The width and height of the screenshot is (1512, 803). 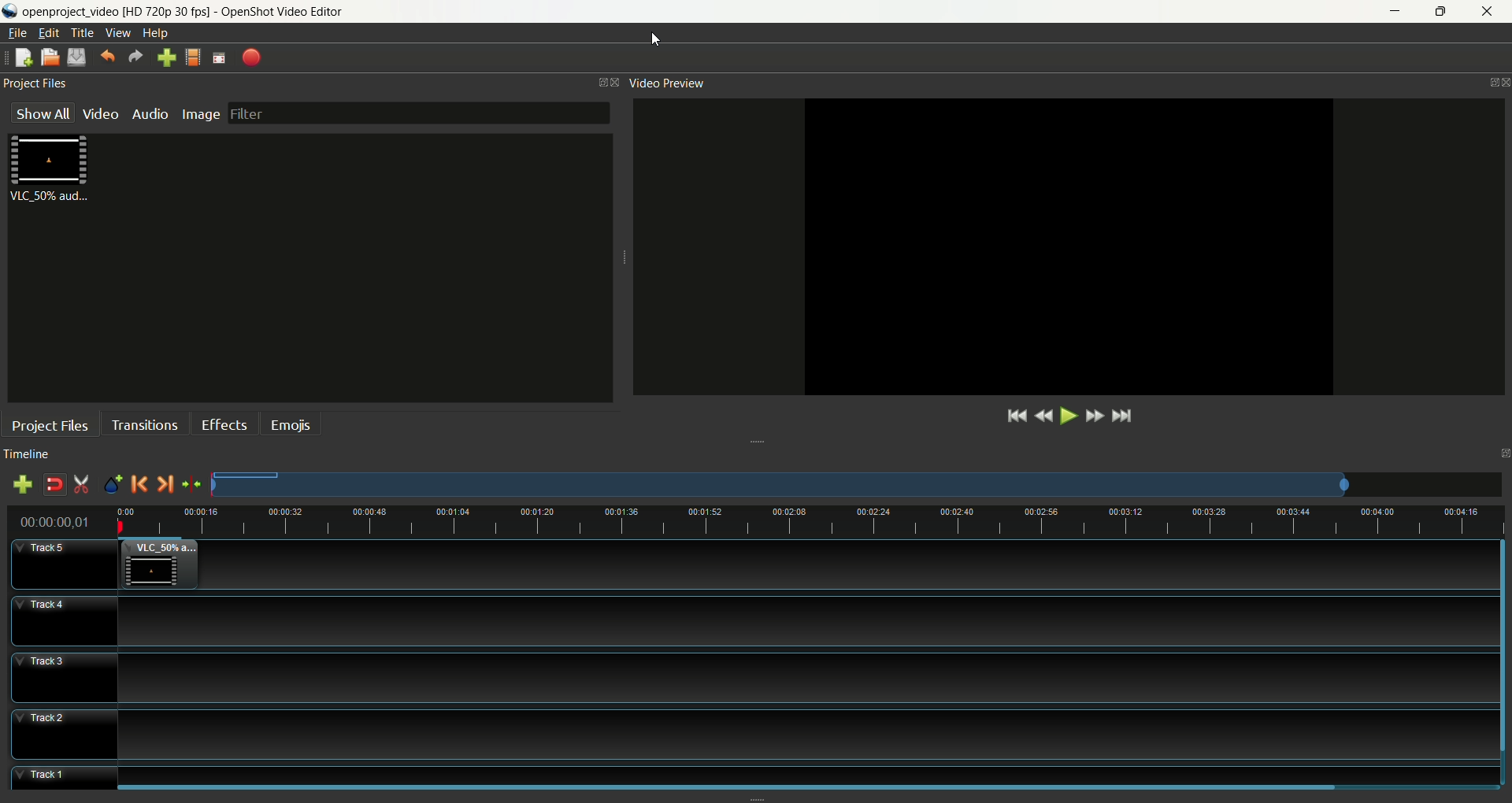 What do you see at coordinates (81, 483) in the screenshot?
I see `enable razer` at bounding box center [81, 483].